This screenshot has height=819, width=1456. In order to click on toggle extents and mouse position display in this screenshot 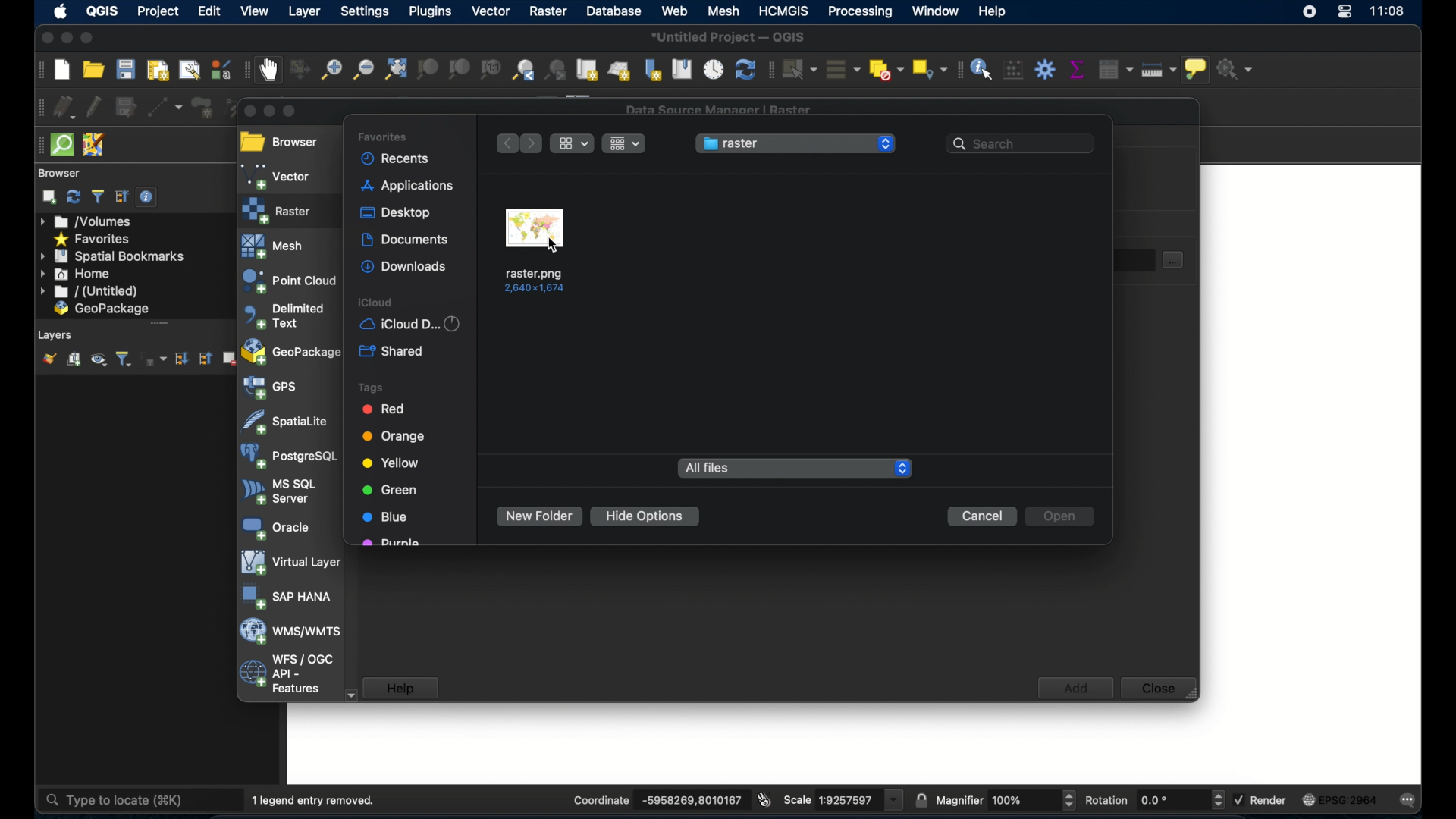, I will do `click(766, 799)`.